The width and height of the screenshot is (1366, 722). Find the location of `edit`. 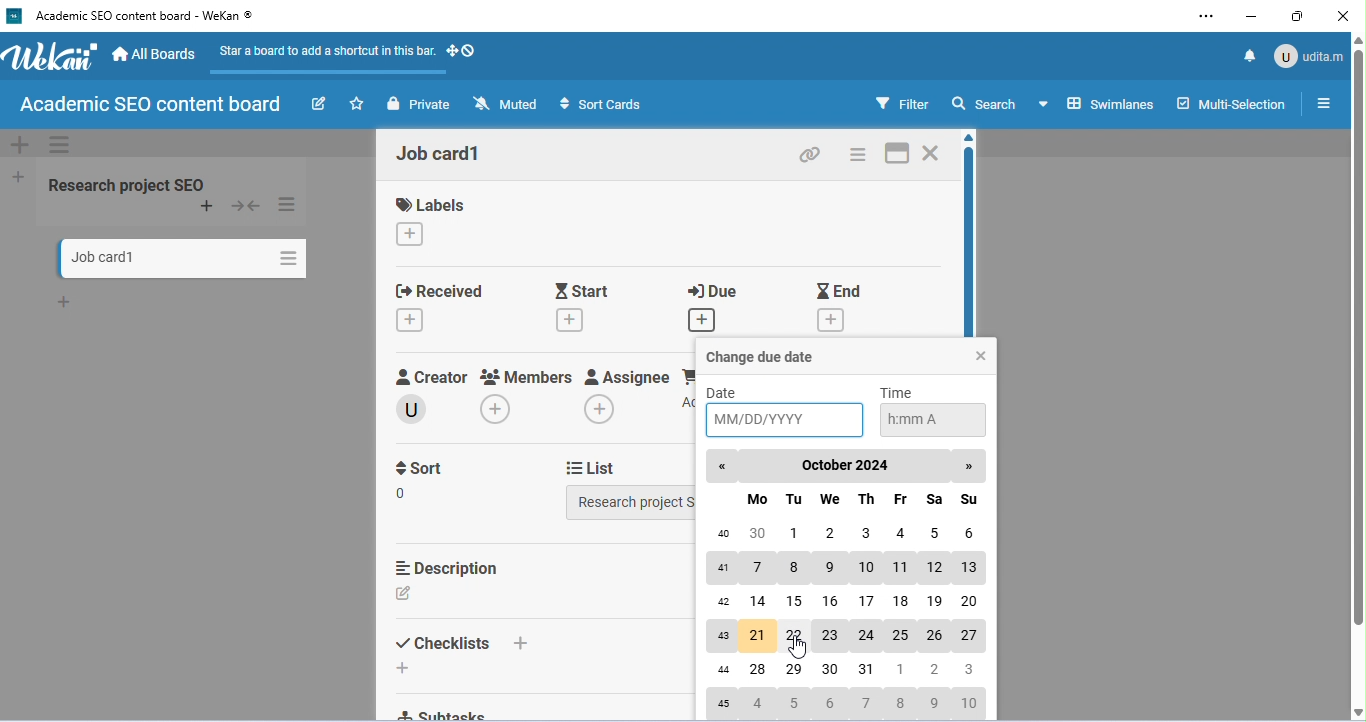

edit is located at coordinates (319, 104).